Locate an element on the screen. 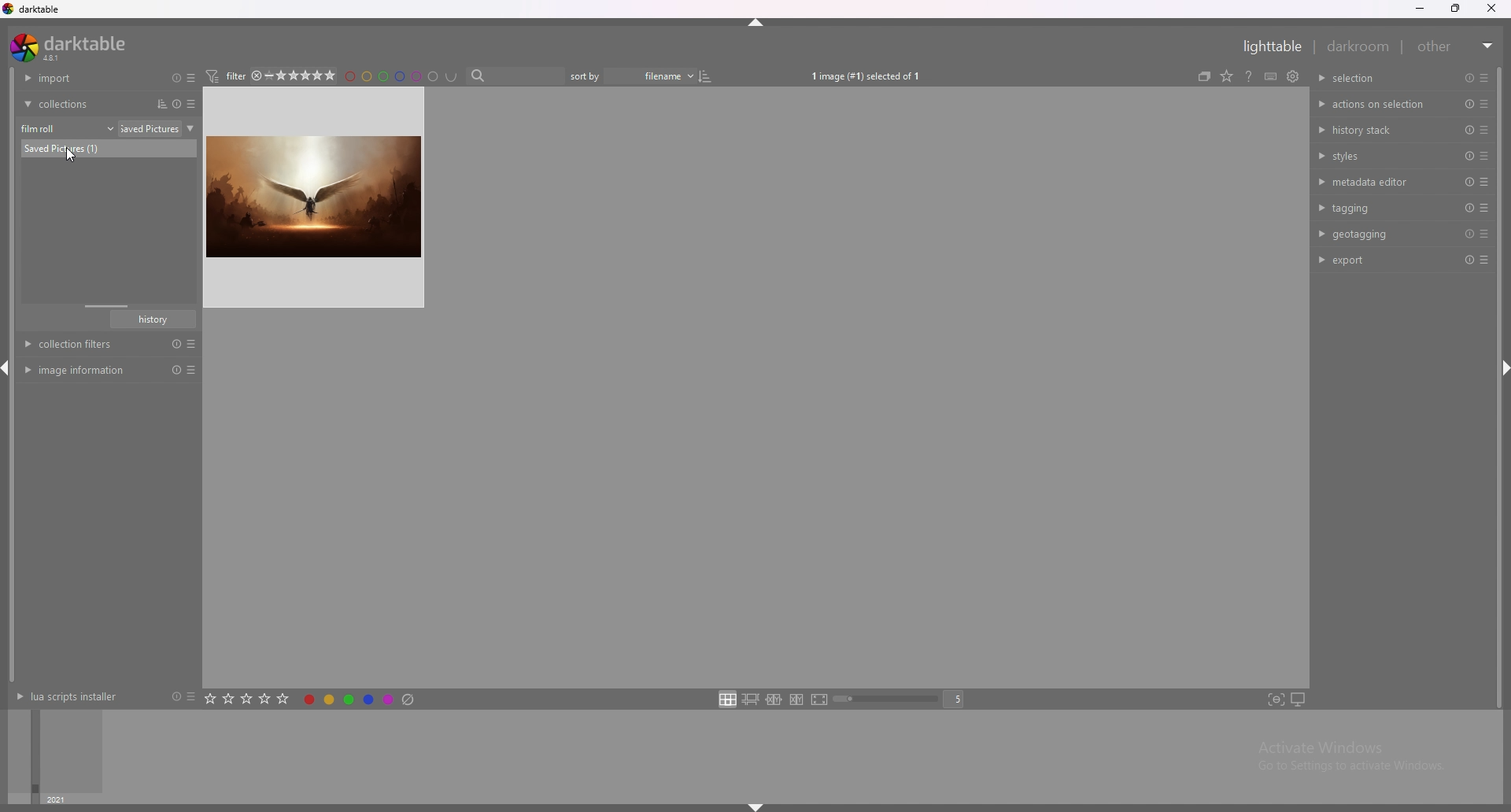  selection is located at coordinates (1361, 78).